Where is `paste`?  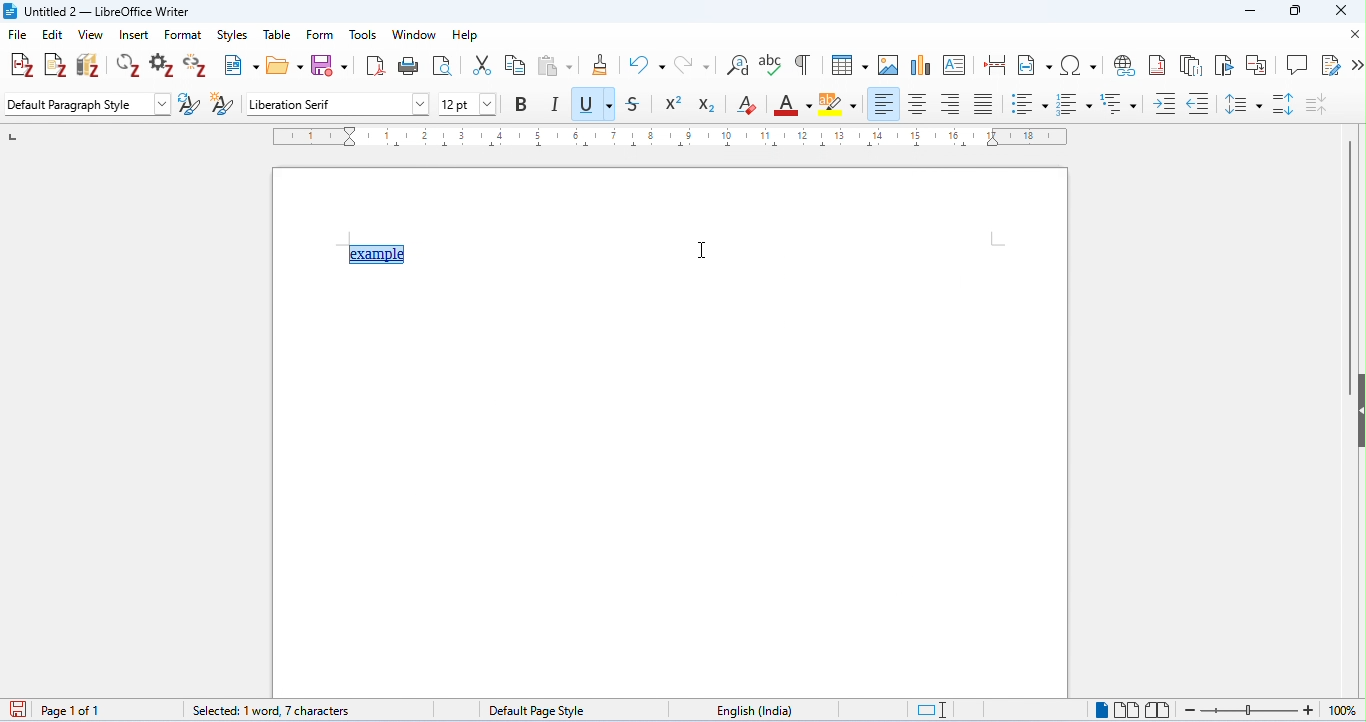
paste is located at coordinates (555, 64).